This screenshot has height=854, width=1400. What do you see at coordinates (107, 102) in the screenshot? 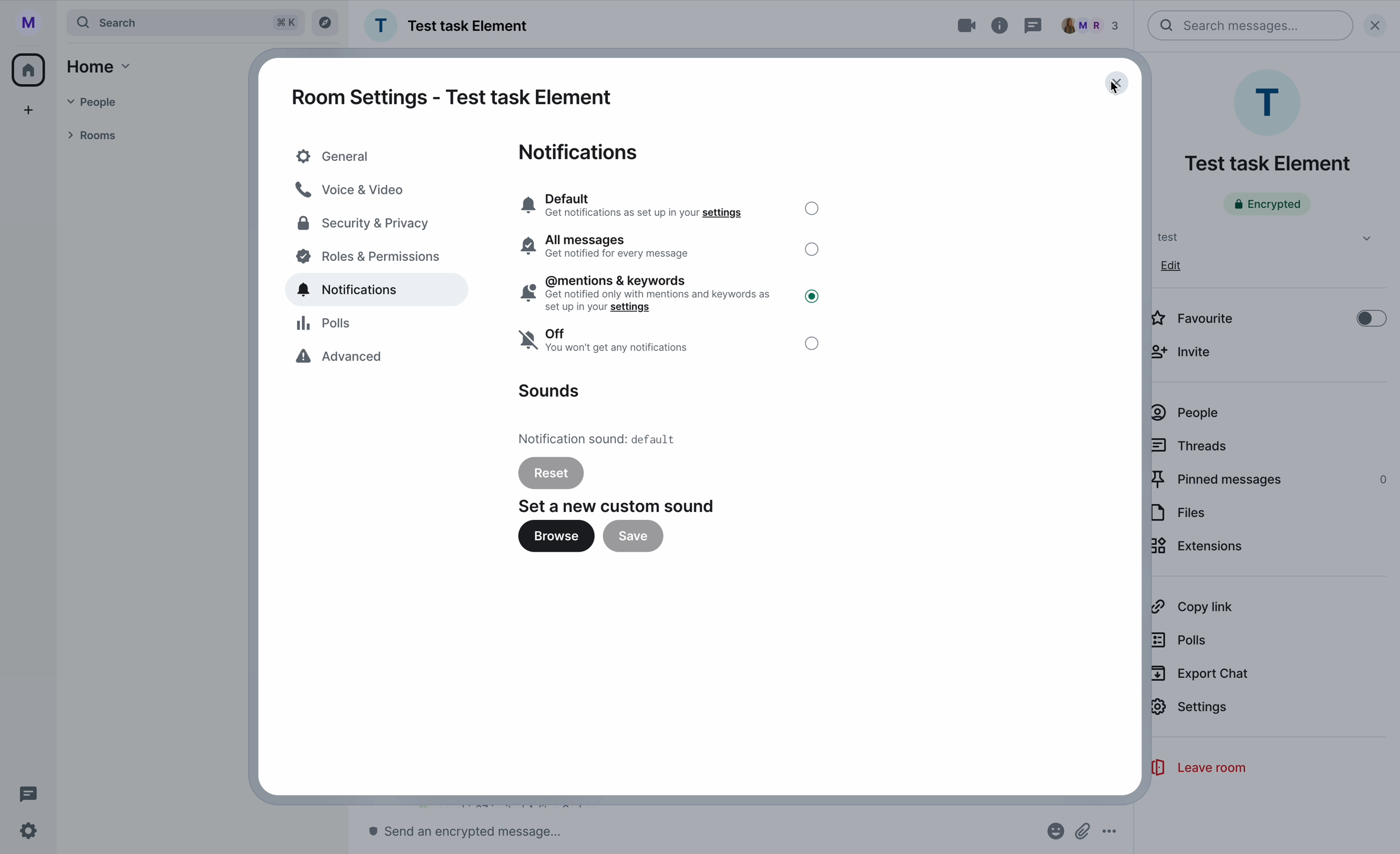
I see `people tab` at bounding box center [107, 102].